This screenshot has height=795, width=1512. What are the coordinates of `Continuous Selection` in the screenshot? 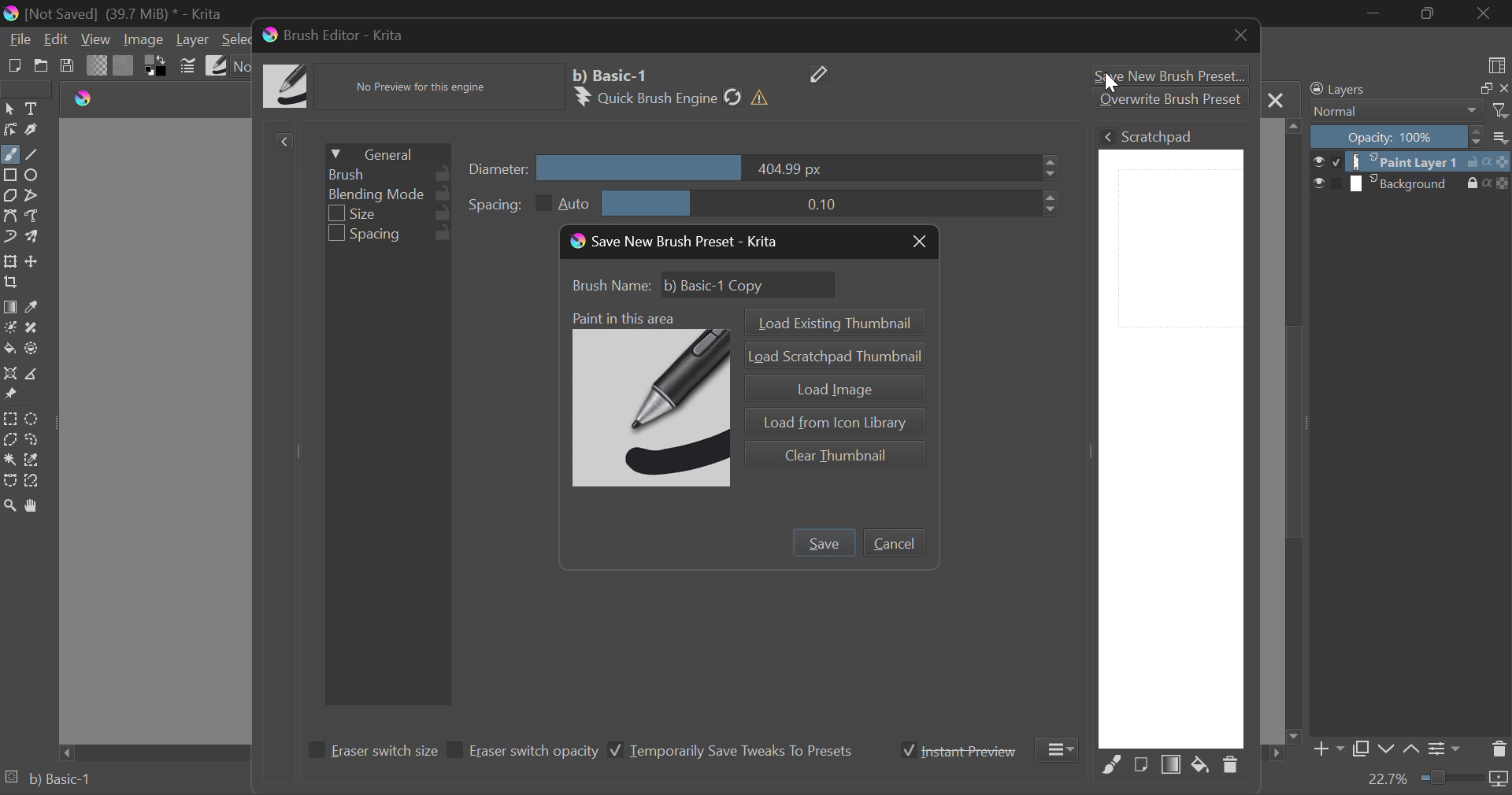 It's located at (9, 460).